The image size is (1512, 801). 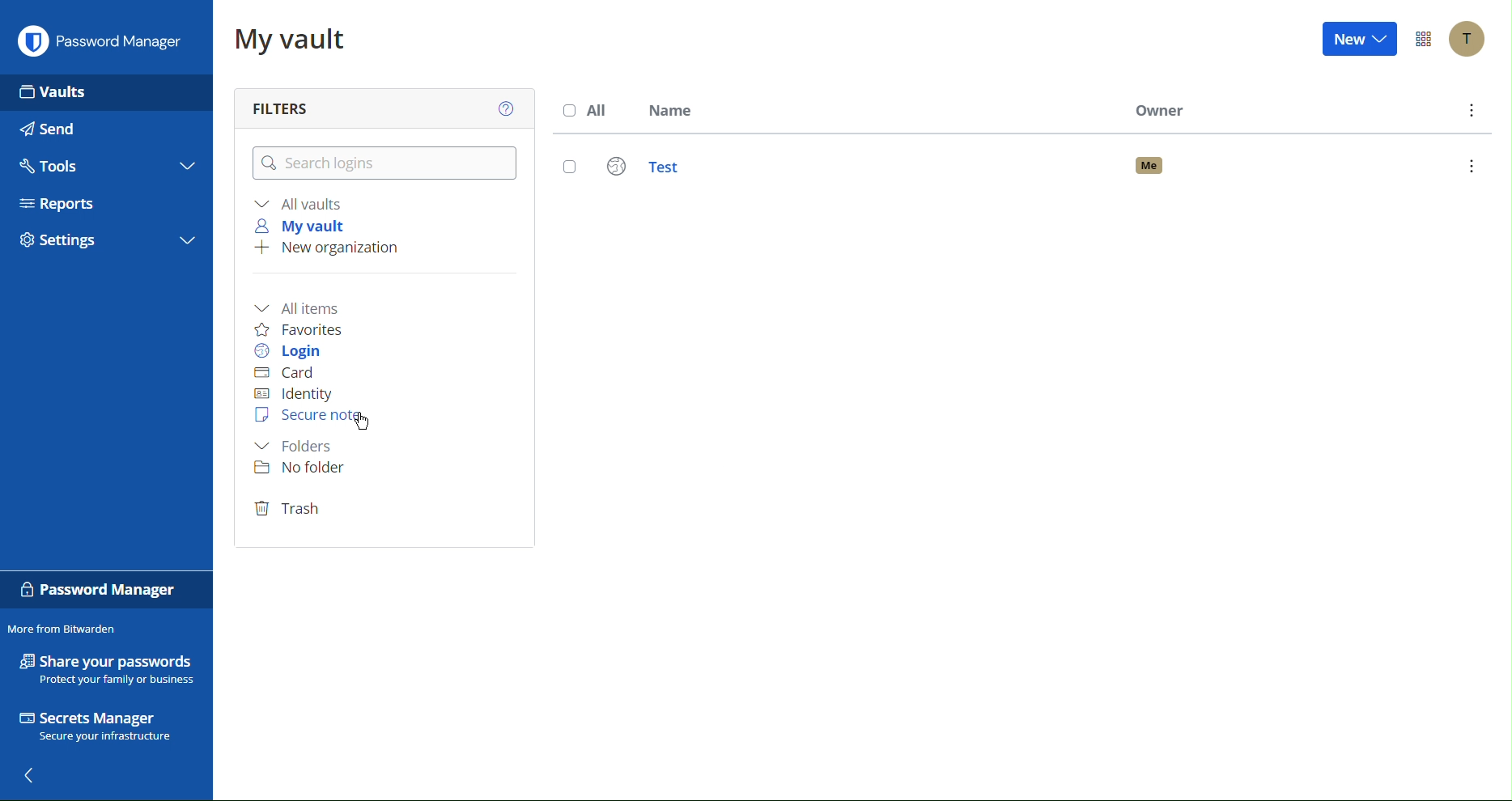 I want to click on Folder, so click(x=300, y=447).